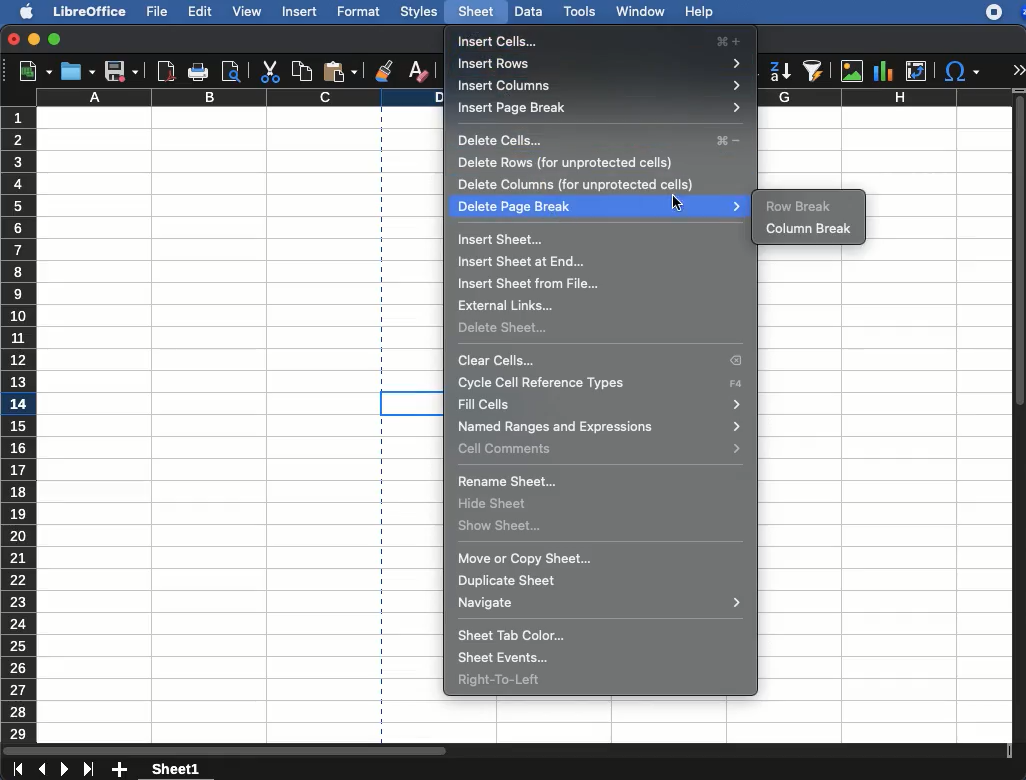  What do you see at coordinates (78, 70) in the screenshot?
I see `open` at bounding box center [78, 70].